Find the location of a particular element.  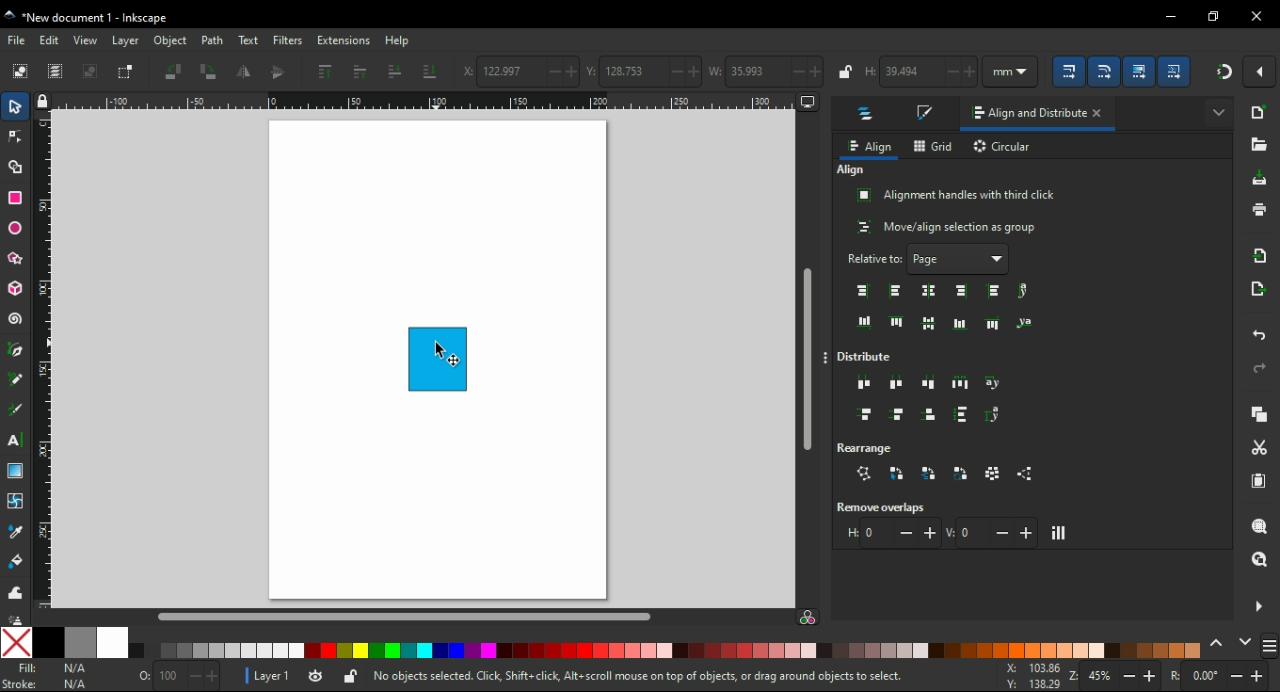

raise to top is located at coordinates (325, 74).